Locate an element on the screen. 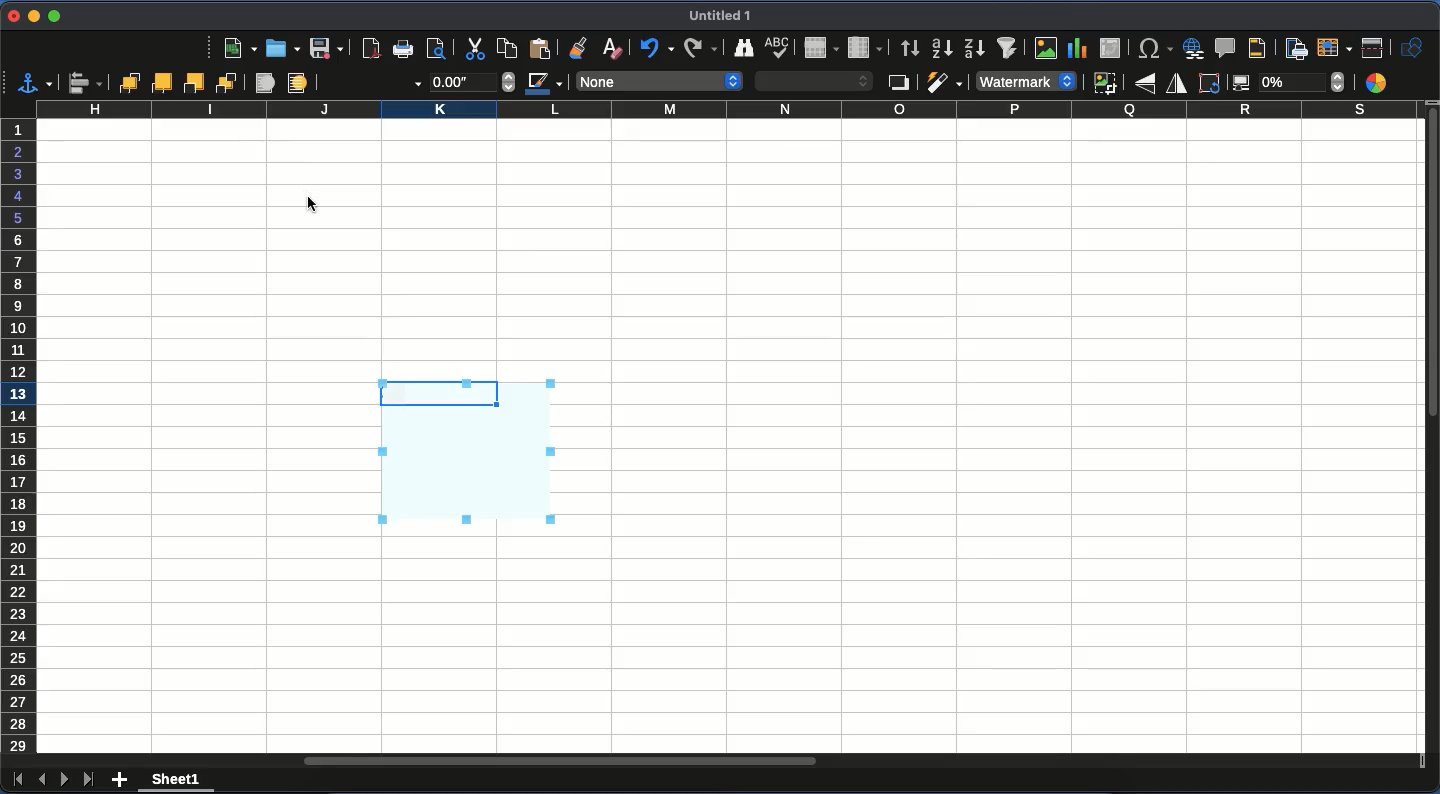 The height and width of the screenshot is (794, 1440). chart is located at coordinates (1081, 49).